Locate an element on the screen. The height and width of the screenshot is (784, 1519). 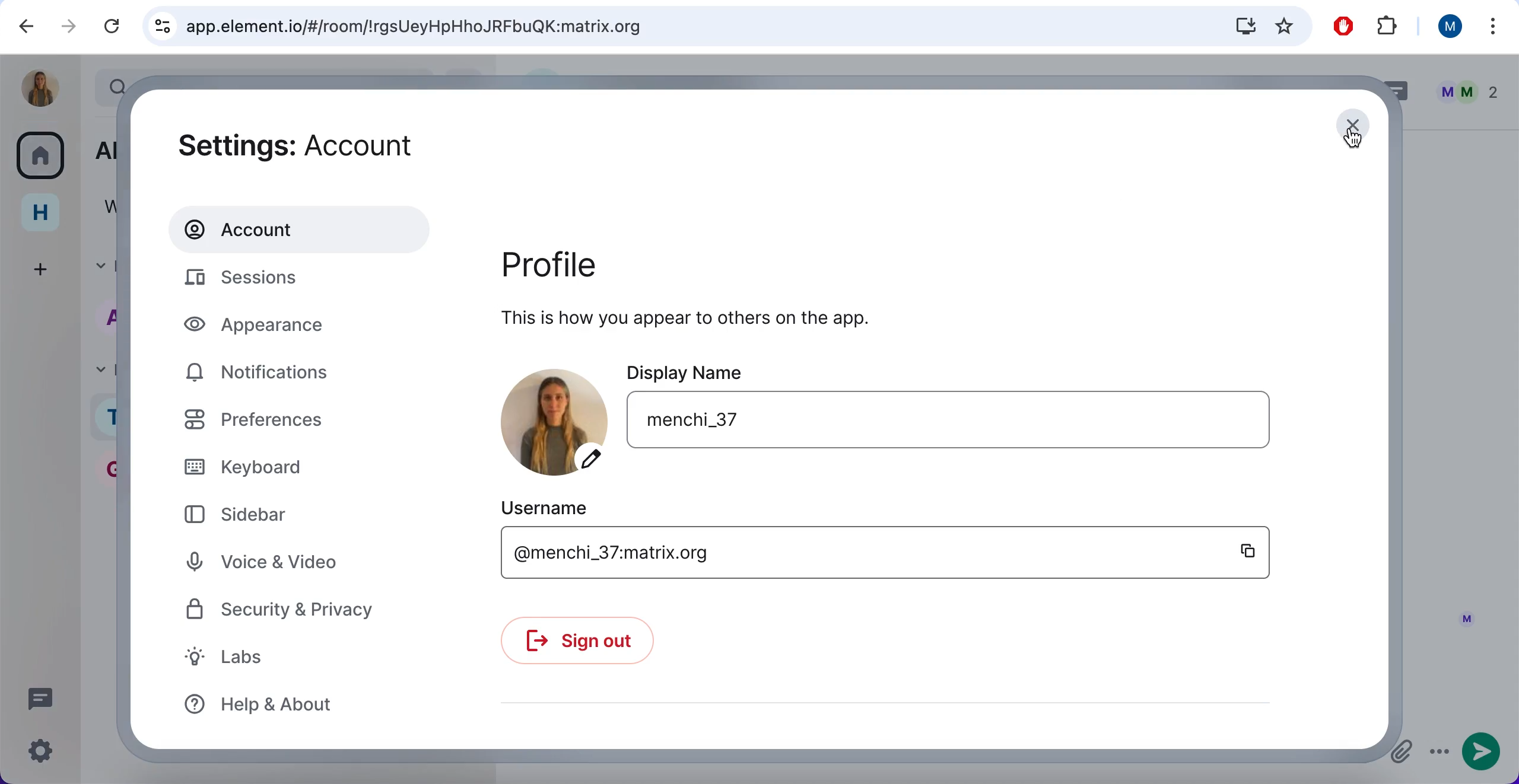
home is located at coordinates (39, 215).